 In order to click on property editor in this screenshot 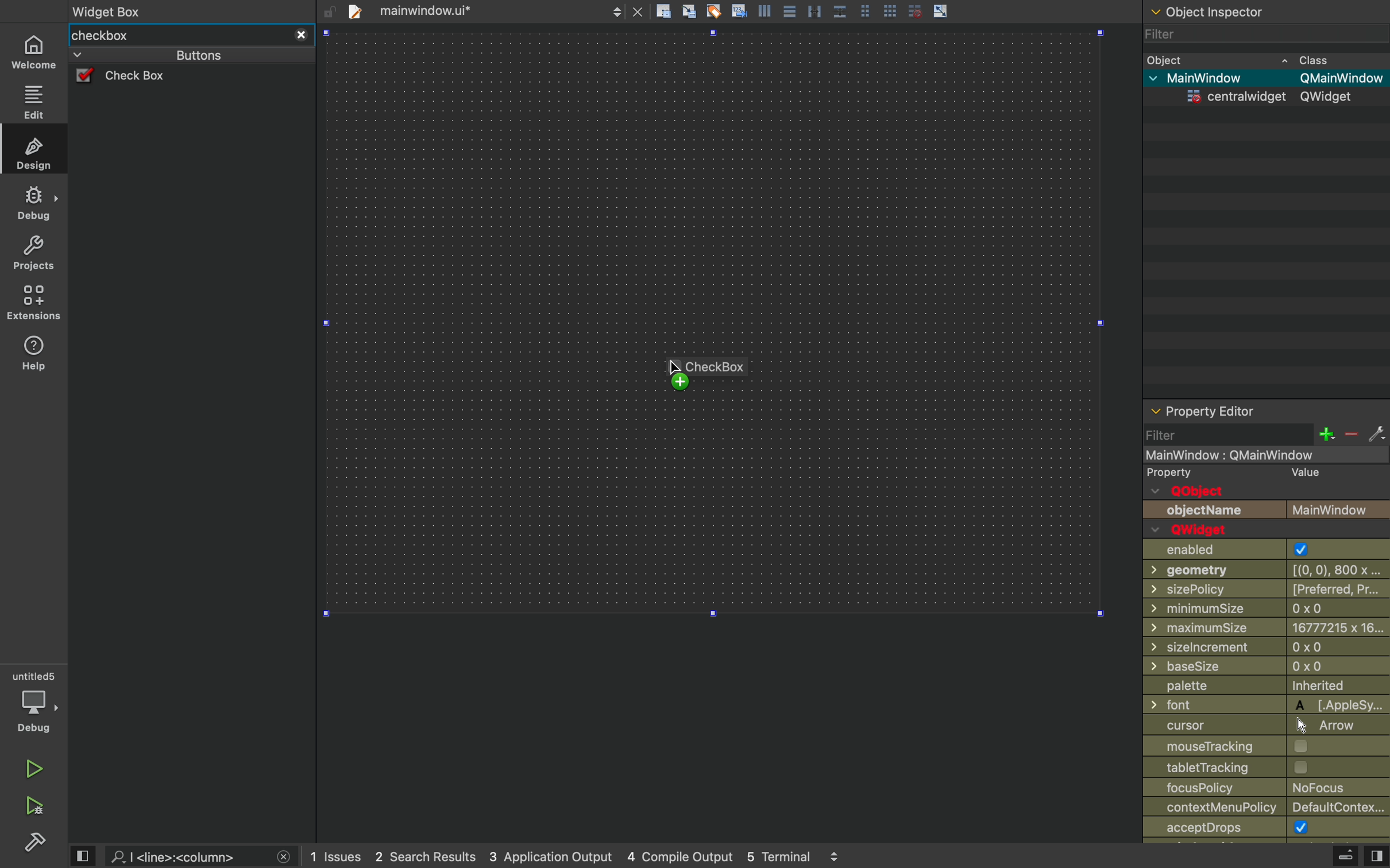, I will do `click(1267, 411)`.